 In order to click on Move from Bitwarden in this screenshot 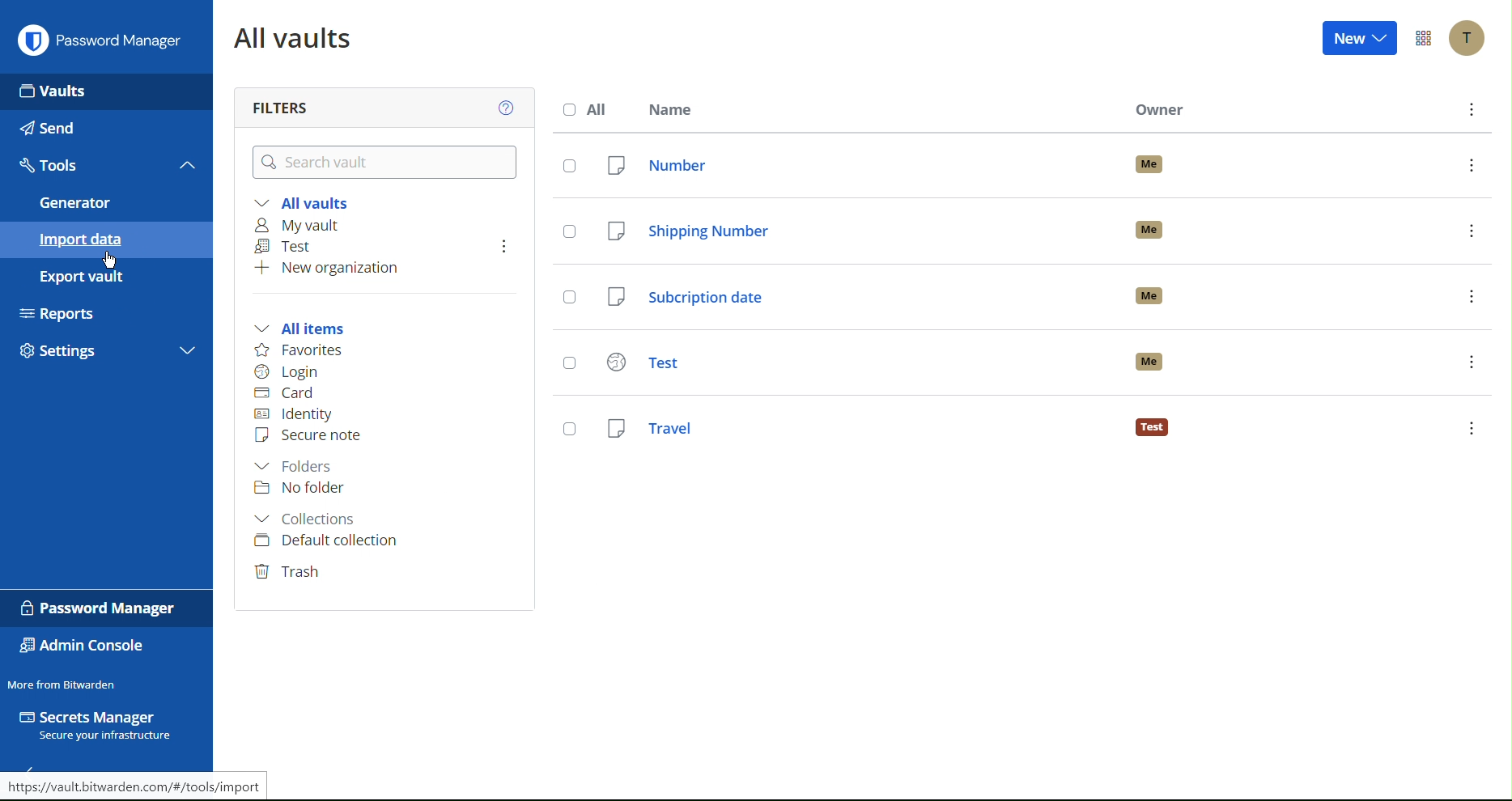, I will do `click(62, 684)`.